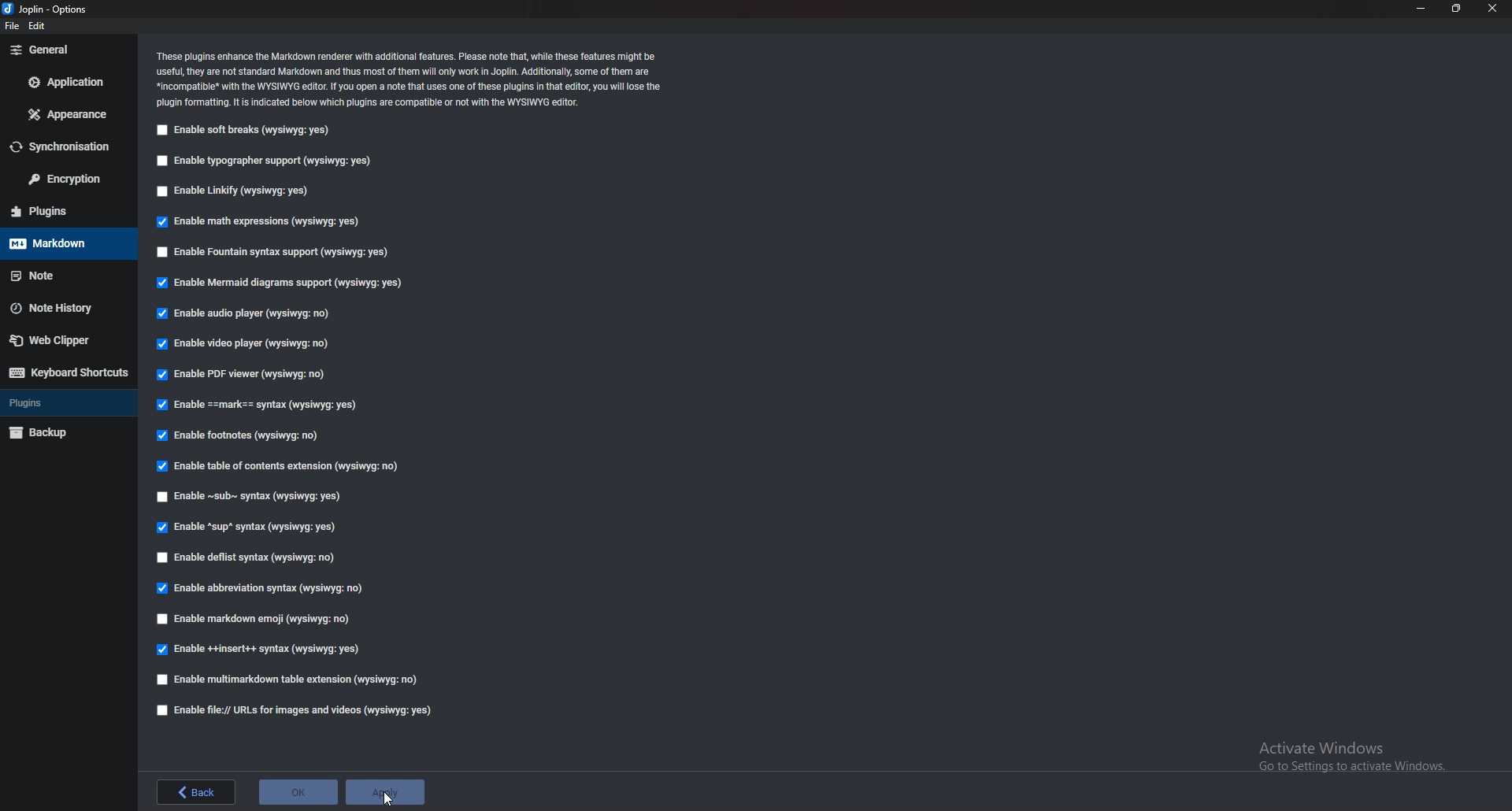 The width and height of the screenshot is (1512, 811). Describe the element at coordinates (276, 465) in the screenshot. I see `Enable table of contents` at that location.